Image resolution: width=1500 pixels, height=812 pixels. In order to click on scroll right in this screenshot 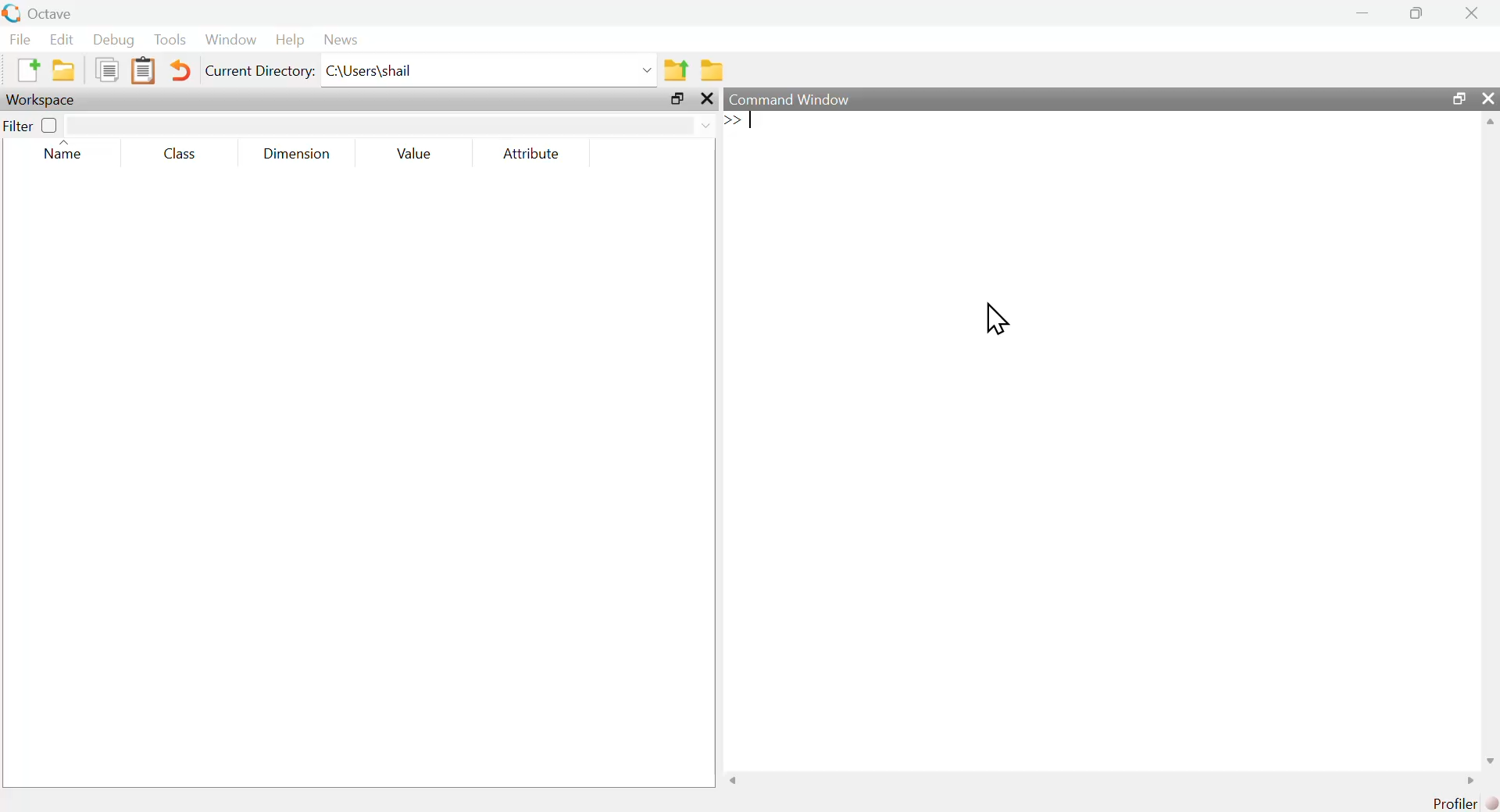, I will do `click(1466, 781)`.